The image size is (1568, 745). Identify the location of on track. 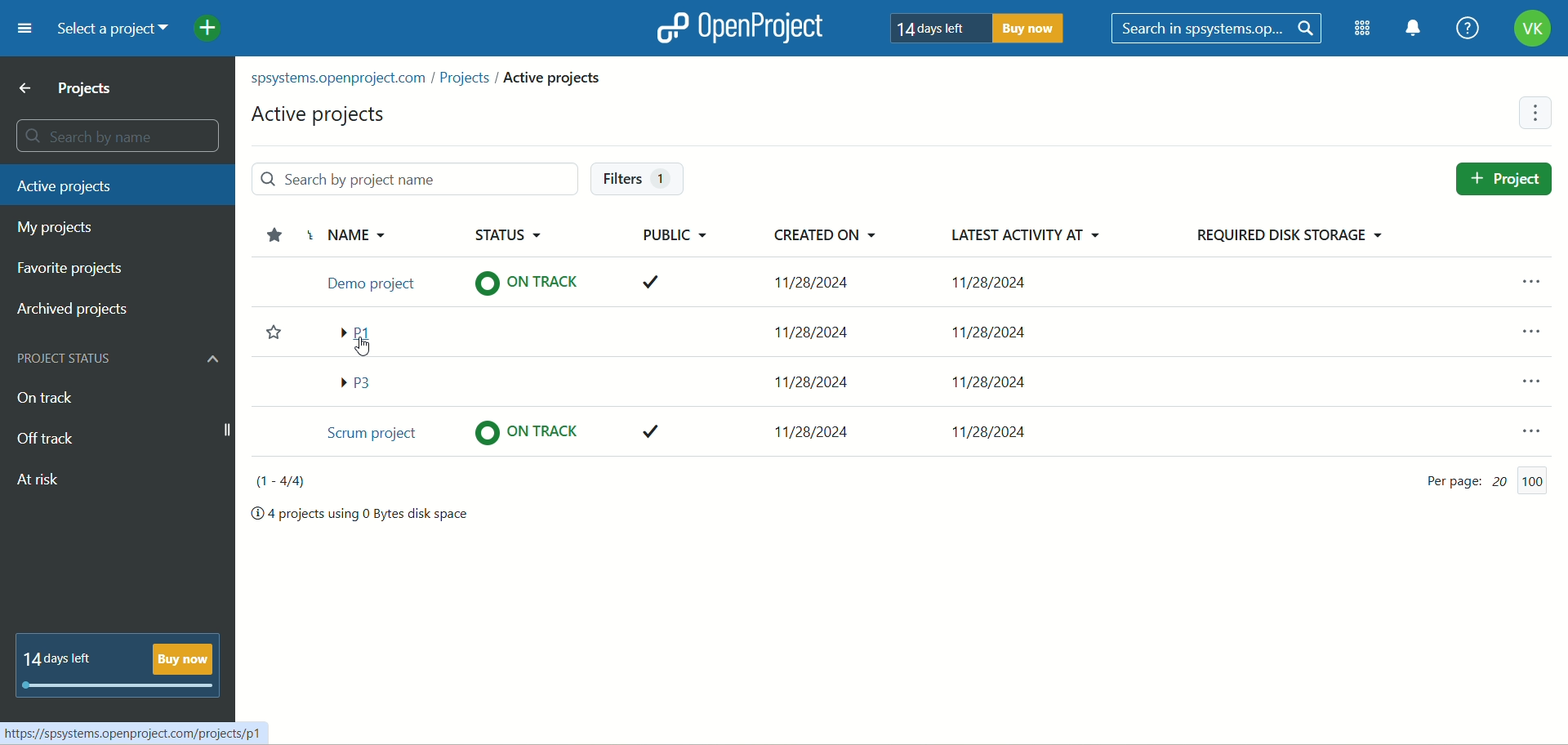
(48, 398).